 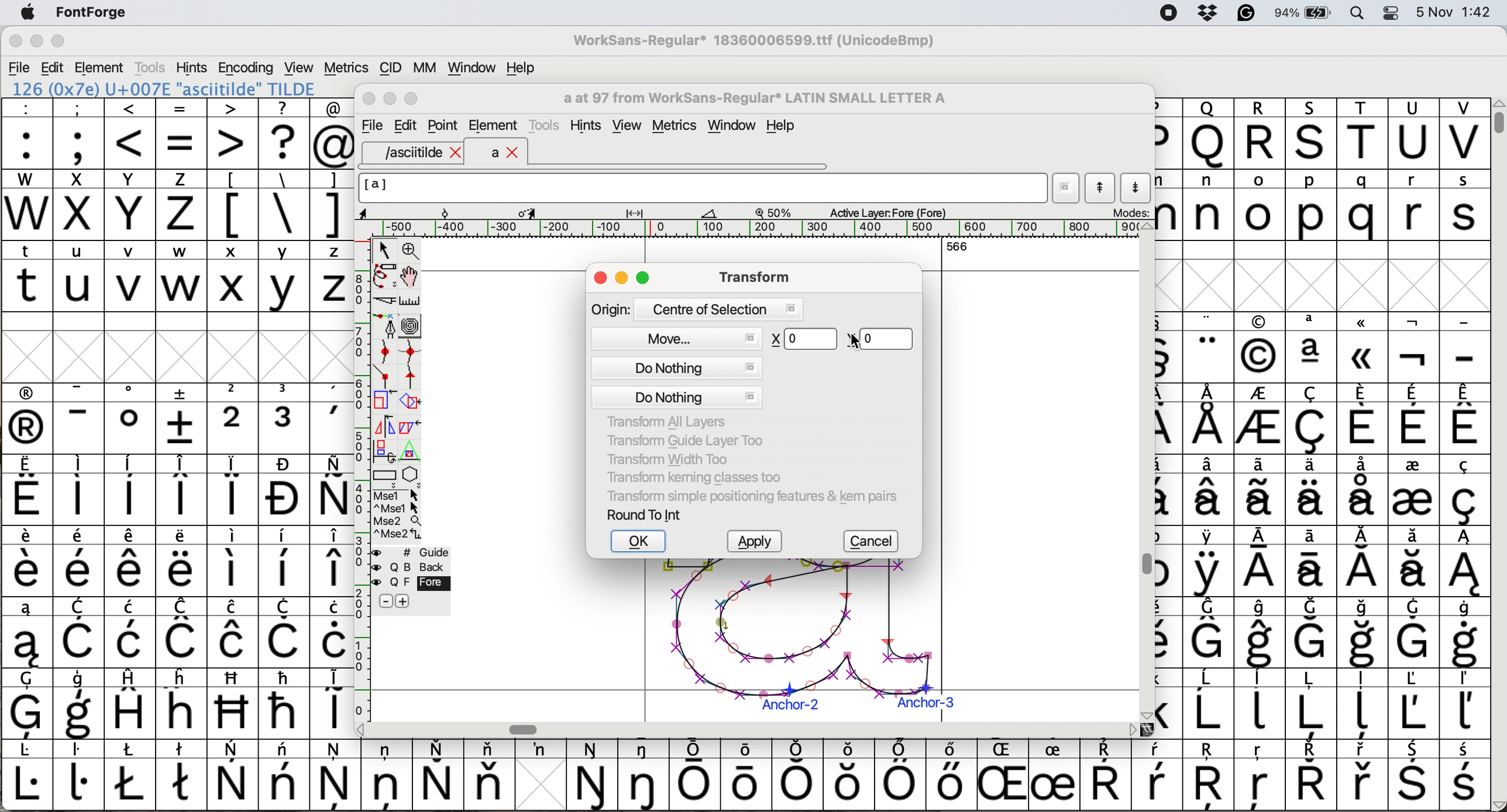 What do you see at coordinates (192, 67) in the screenshot?
I see `hints` at bounding box center [192, 67].